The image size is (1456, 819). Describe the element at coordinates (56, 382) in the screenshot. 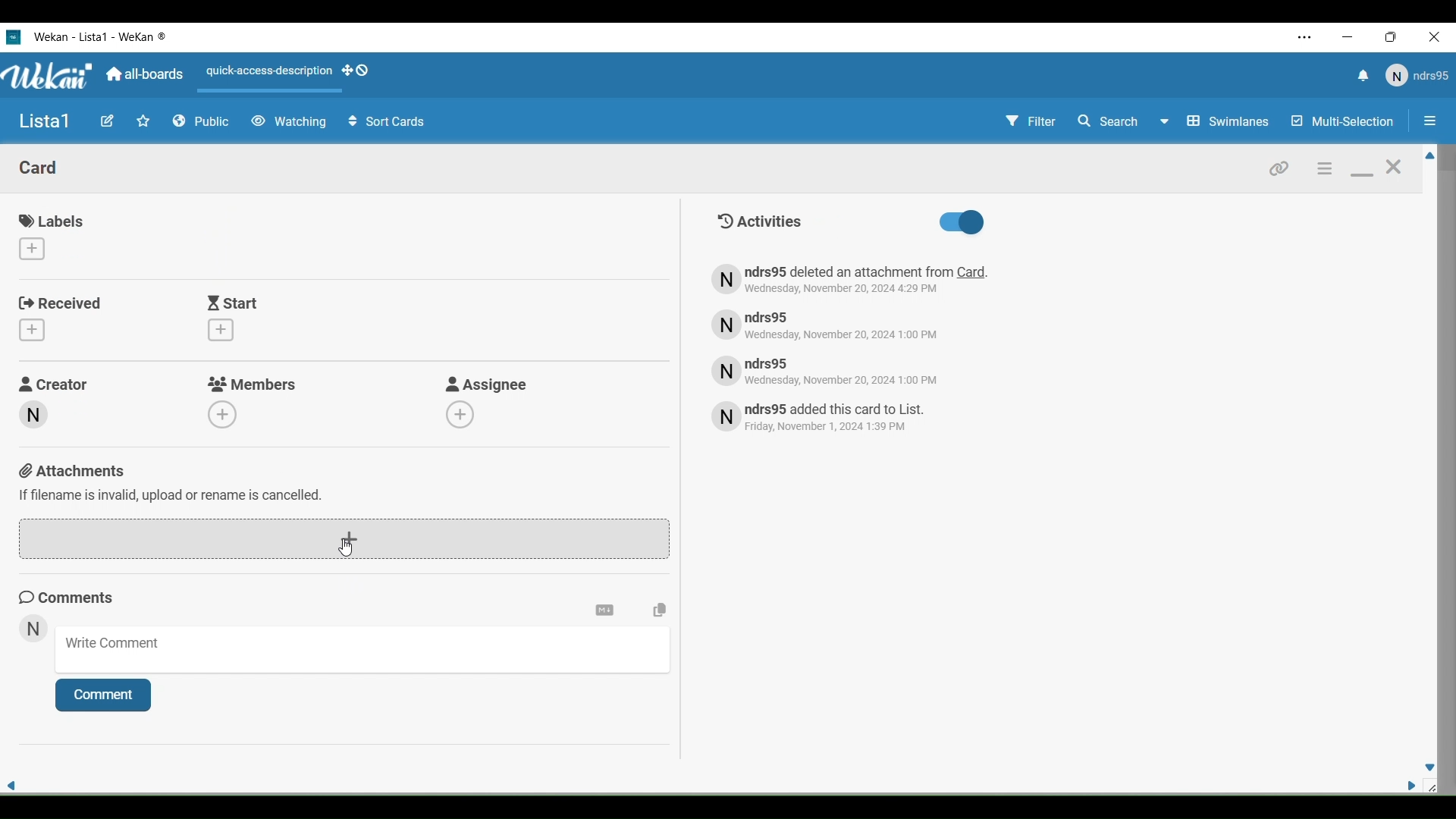

I see `Creator` at that location.